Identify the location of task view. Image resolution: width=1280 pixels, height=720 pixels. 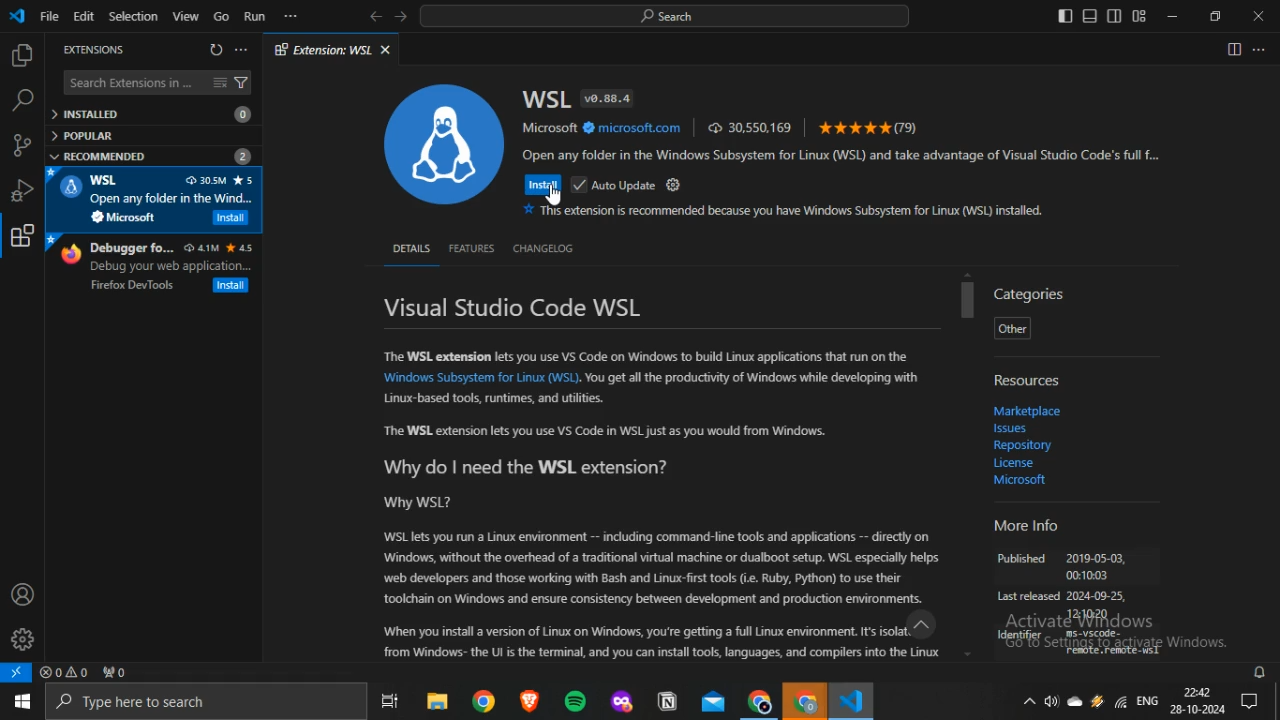
(391, 700).